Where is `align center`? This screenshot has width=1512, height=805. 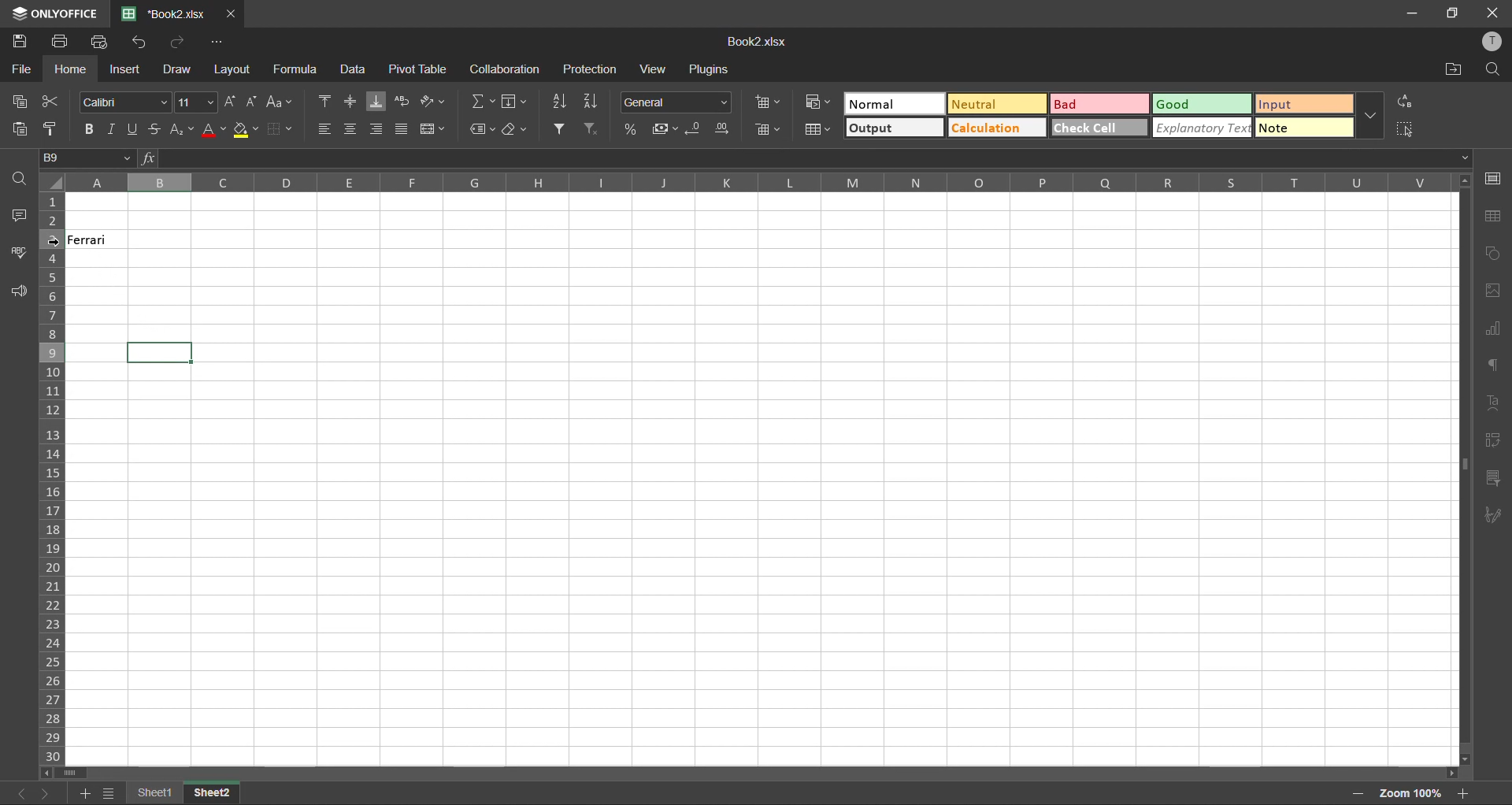
align center is located at coordinates (351, 128).